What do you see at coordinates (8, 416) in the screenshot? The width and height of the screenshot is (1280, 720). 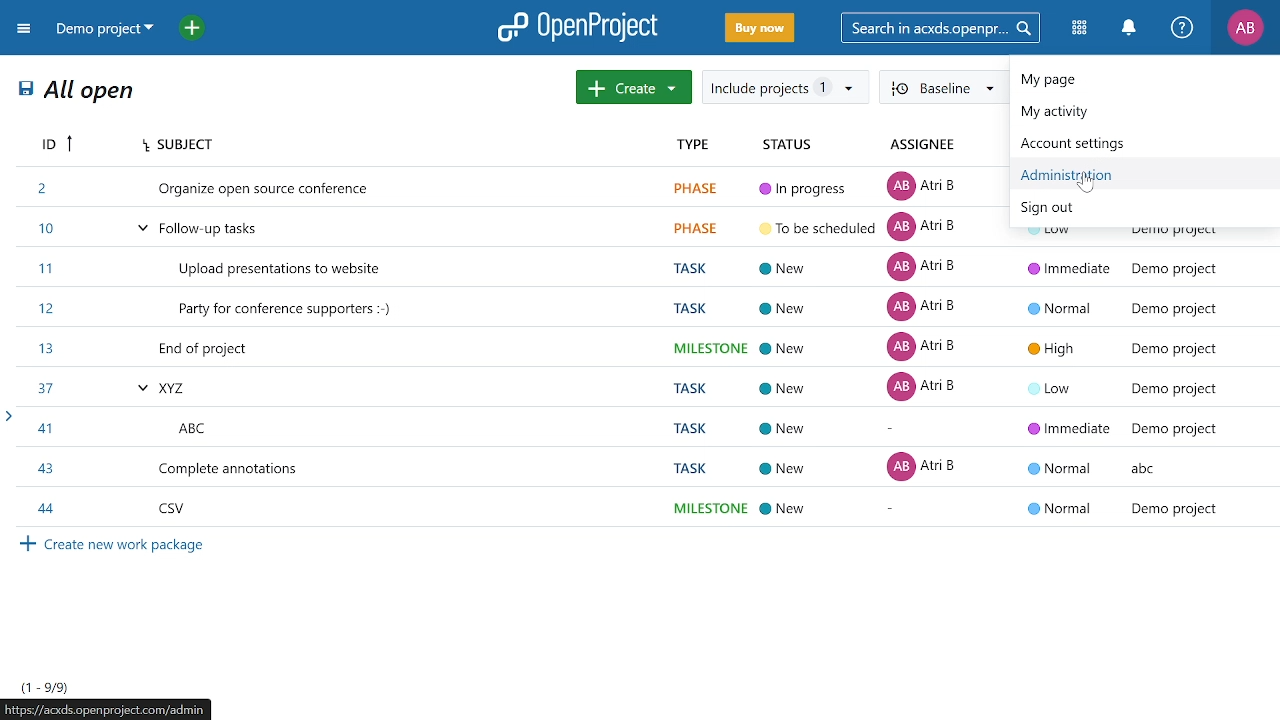 I see `open sidebar` at bounding box center [8, 416].